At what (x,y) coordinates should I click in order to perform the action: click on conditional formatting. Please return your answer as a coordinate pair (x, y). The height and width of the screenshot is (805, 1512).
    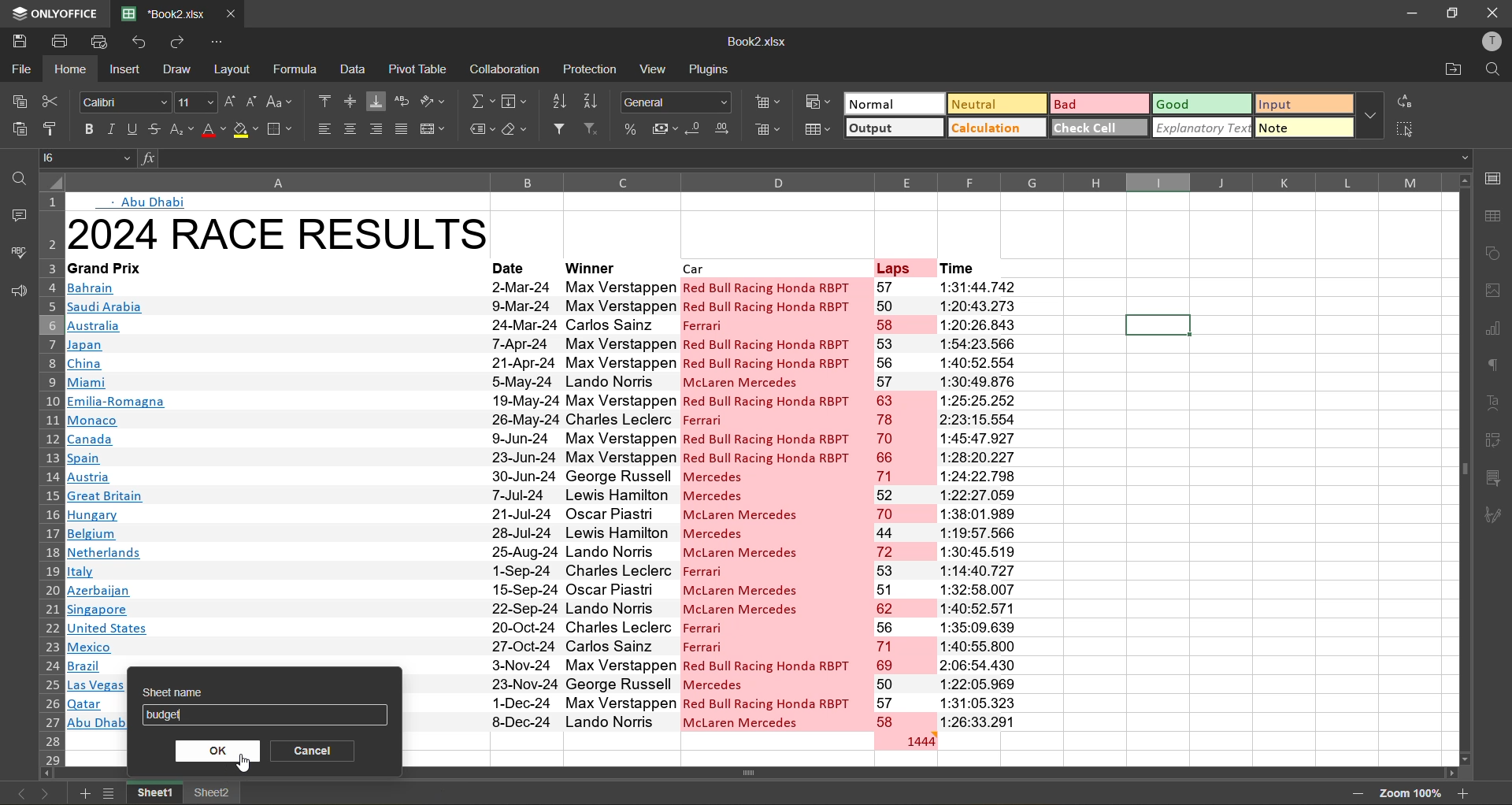
    Looking at the image, I should click on (817, 102).